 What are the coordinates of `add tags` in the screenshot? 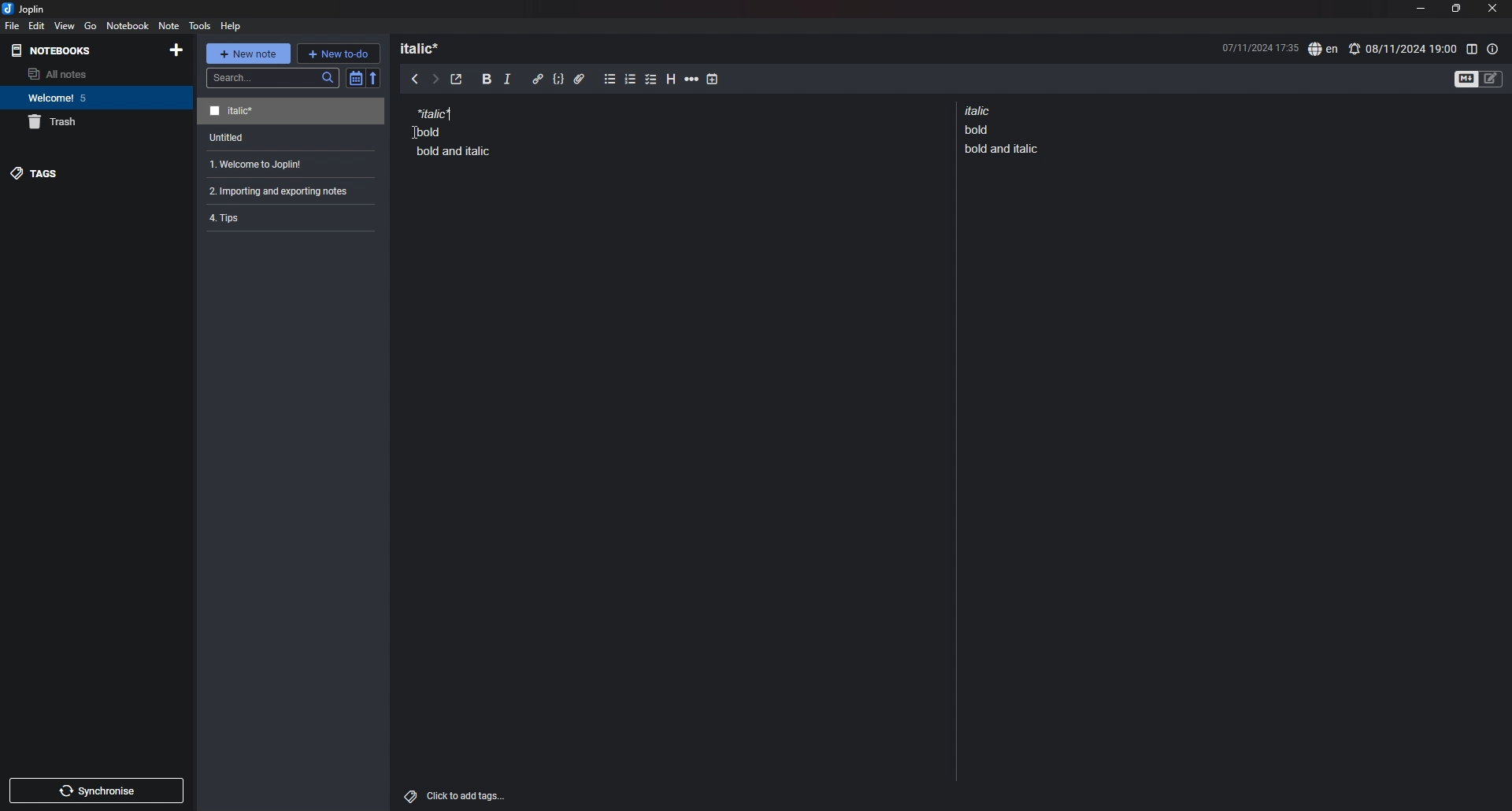 It's located at (457, 796).